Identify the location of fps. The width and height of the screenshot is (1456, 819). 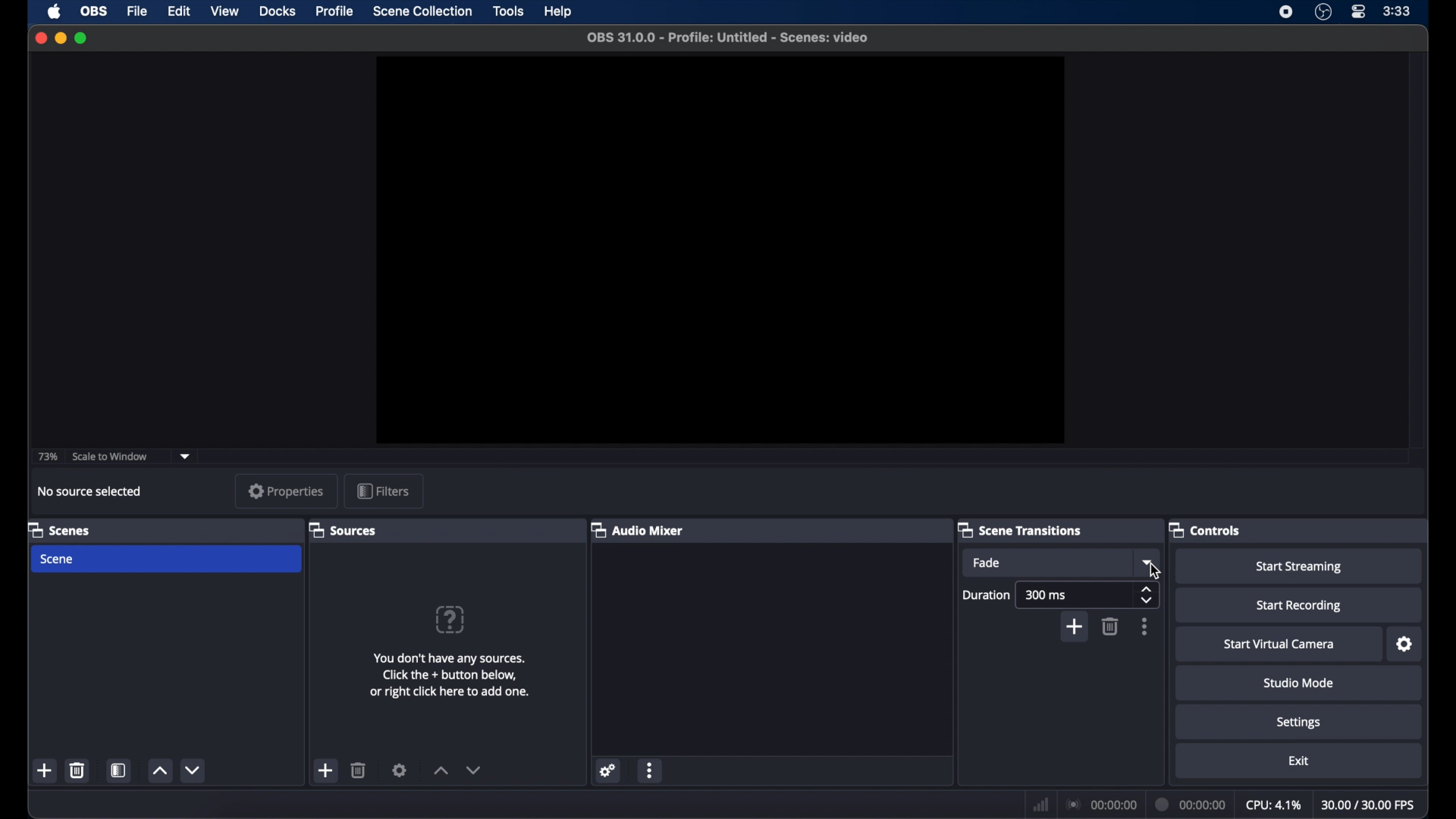
(1370, 805).